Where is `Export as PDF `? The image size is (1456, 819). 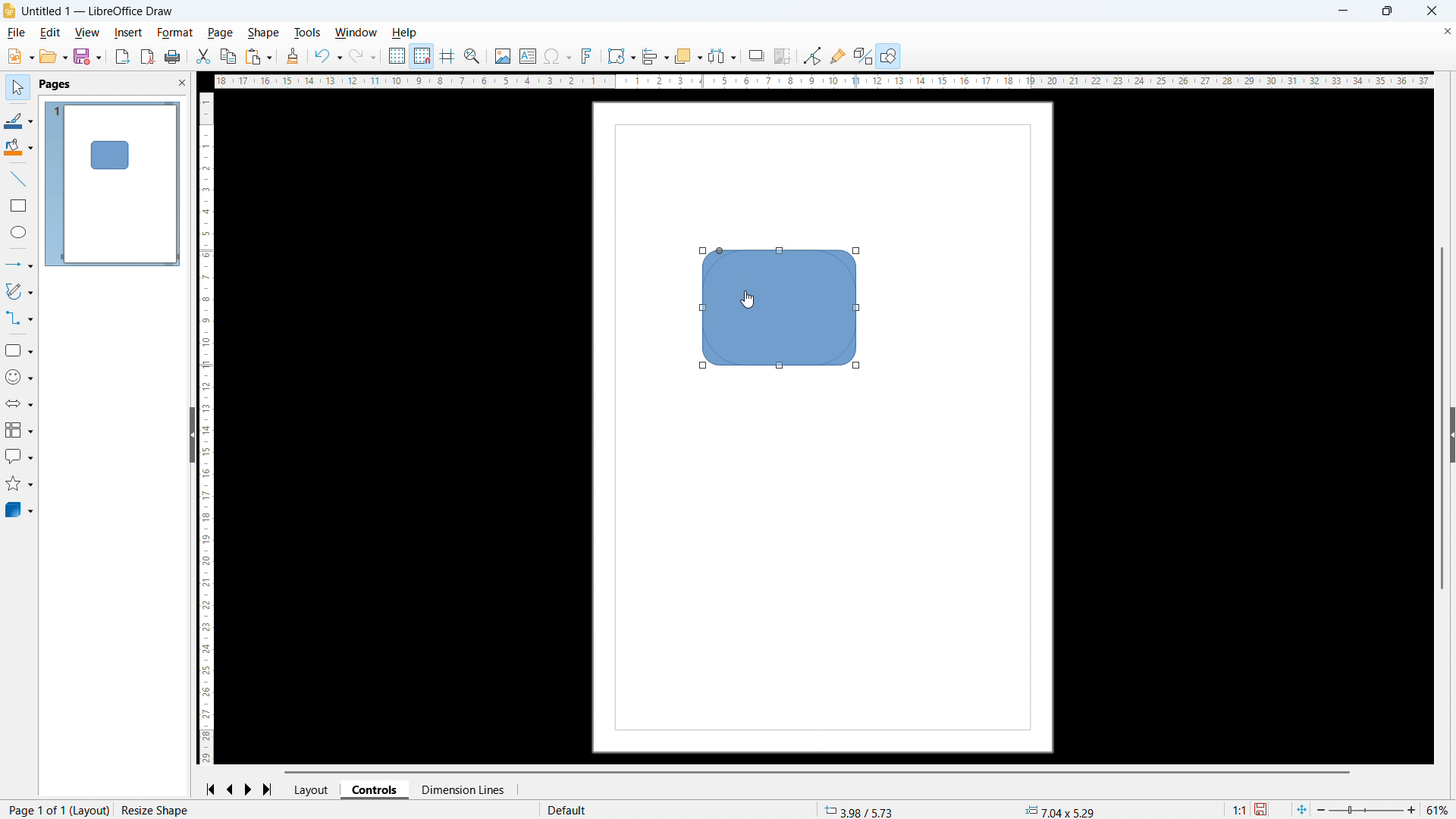
Export as PDF  is located at coordinates (148, 57).